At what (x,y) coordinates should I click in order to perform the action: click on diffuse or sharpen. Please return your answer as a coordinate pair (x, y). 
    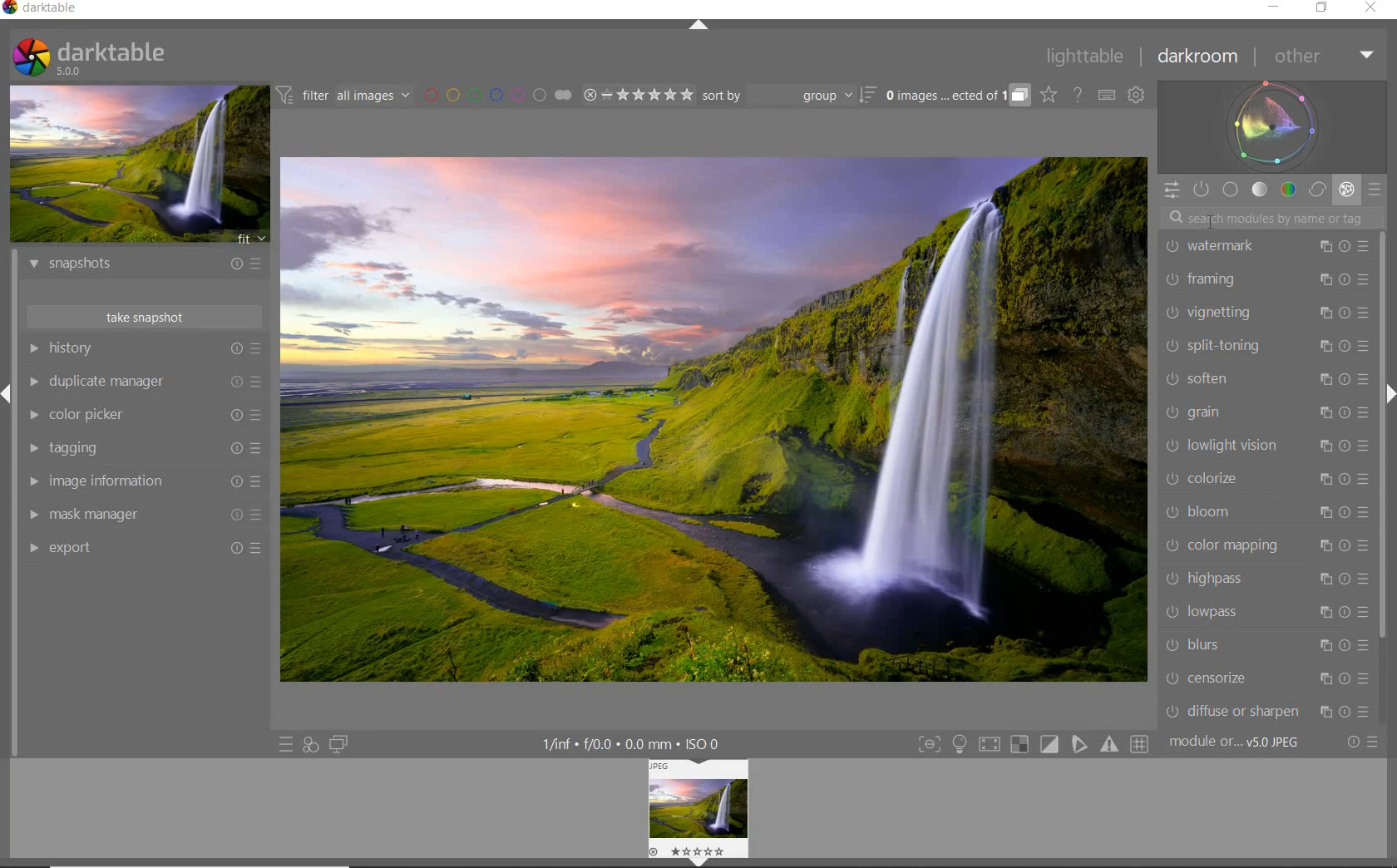
    Looking at the image, I should click on (1268, 711).